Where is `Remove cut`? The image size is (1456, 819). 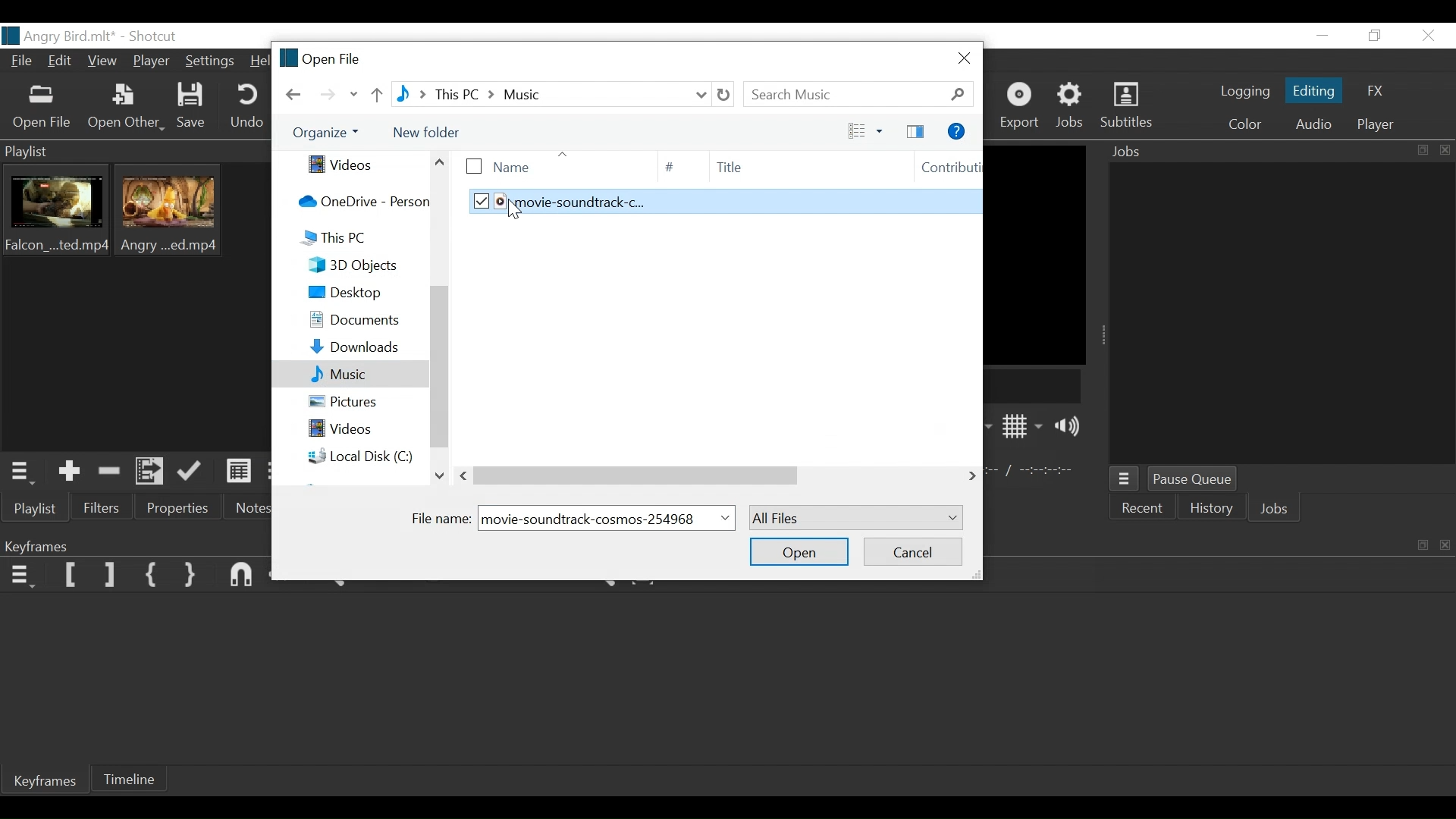
Remove cut is located at coordinates (112, 471).